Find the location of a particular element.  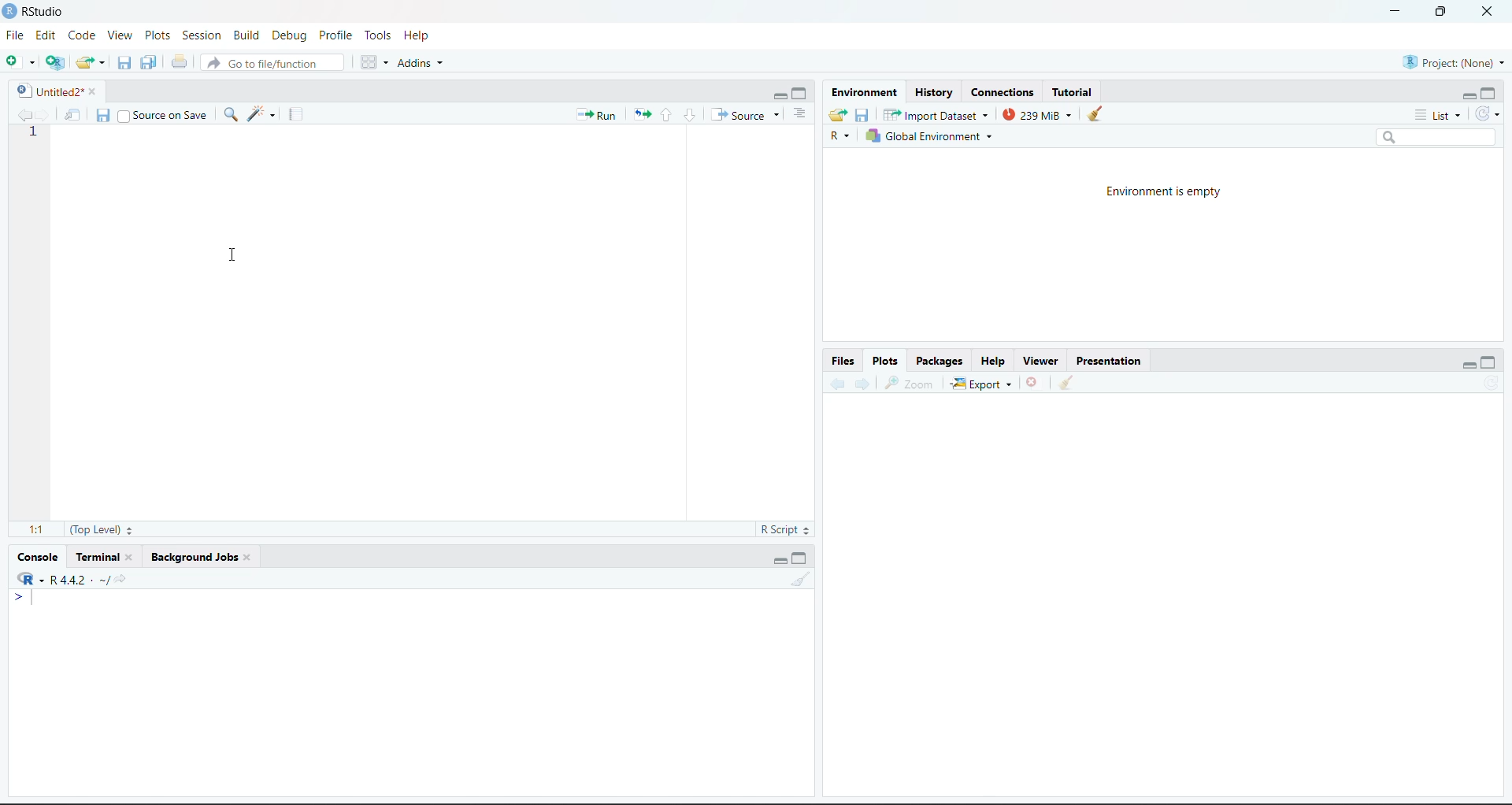

Clear console (Ctrl +L) is located at coordinates (1070, 382).